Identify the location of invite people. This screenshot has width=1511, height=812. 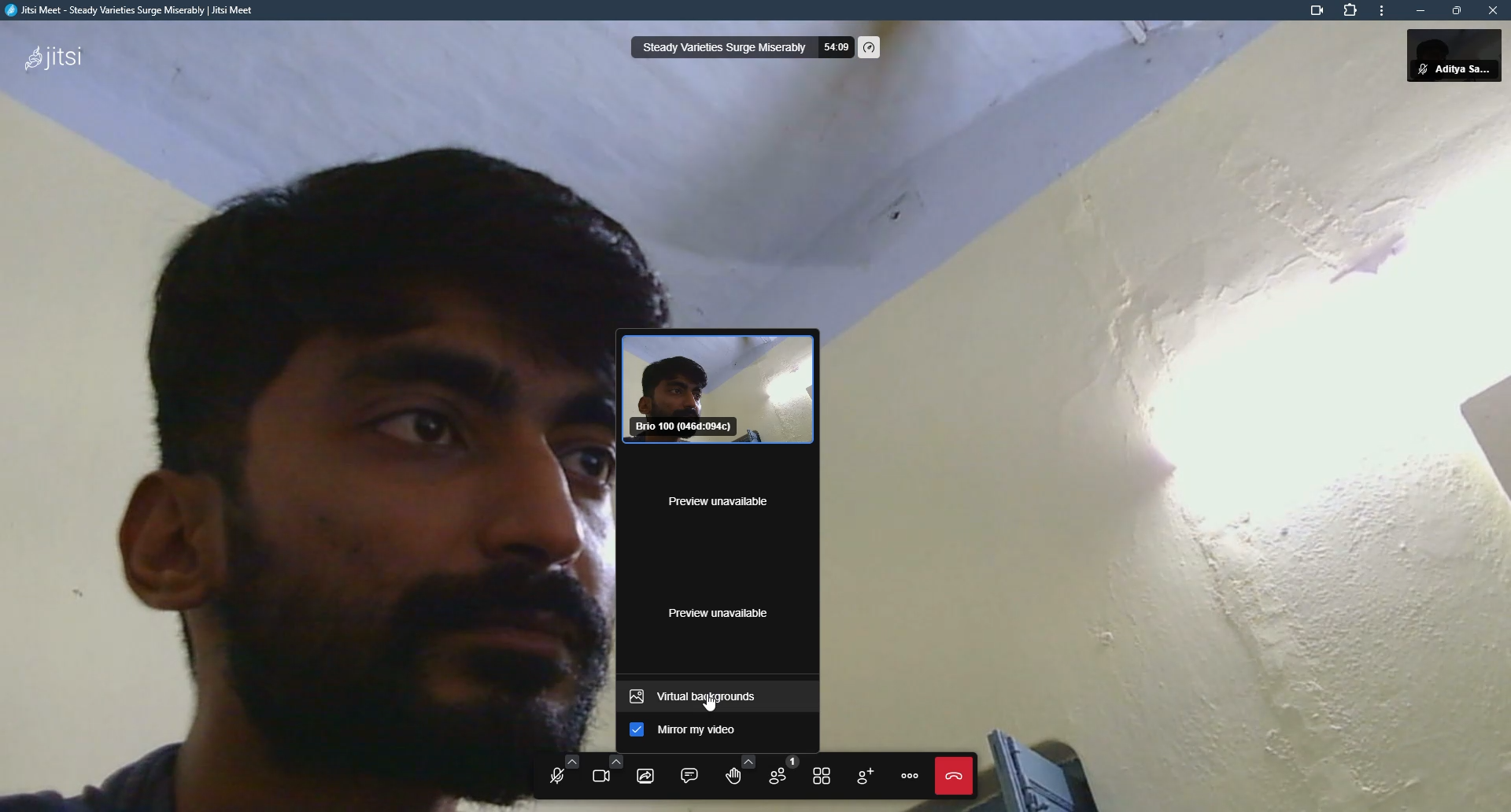
(865, 774).